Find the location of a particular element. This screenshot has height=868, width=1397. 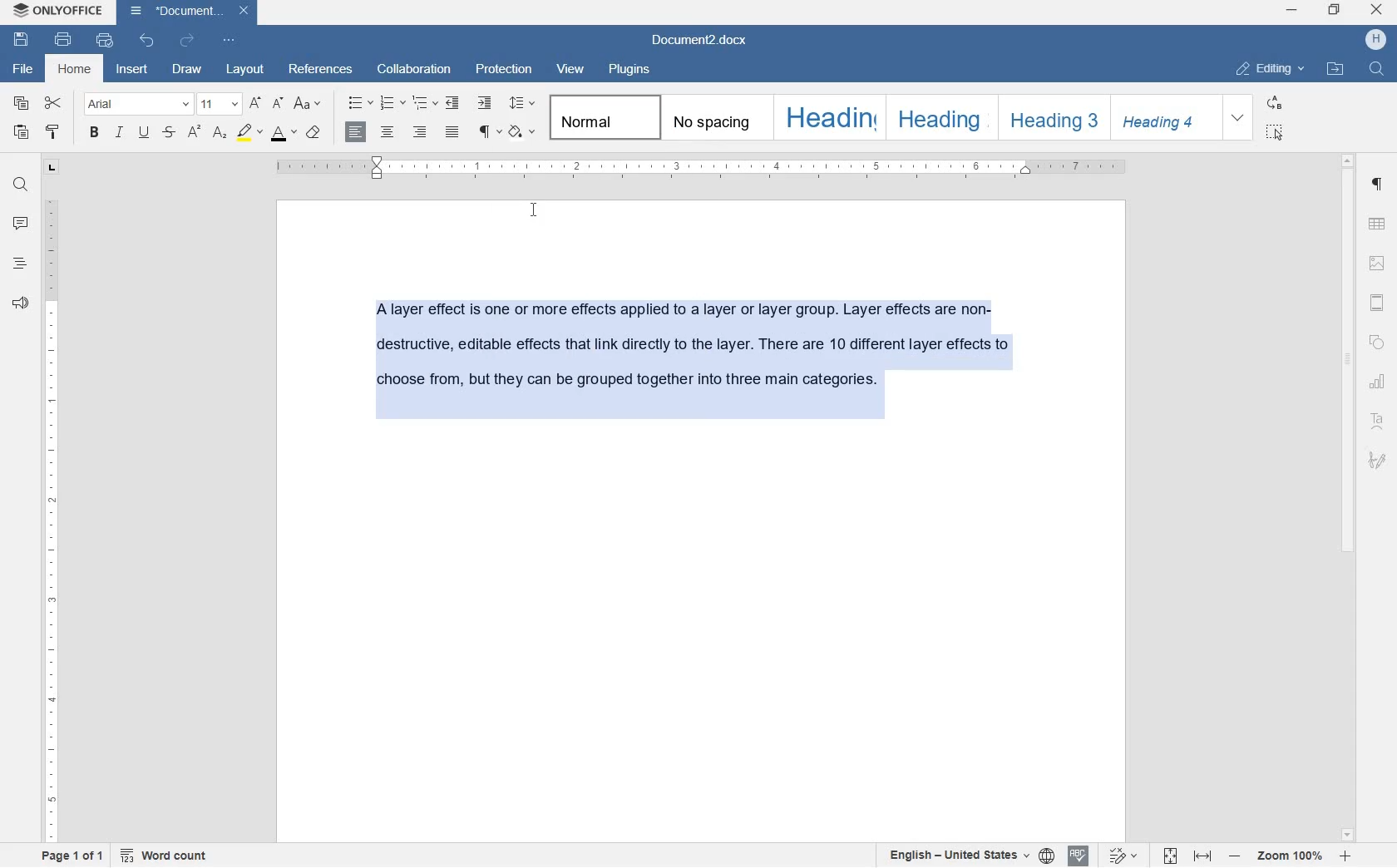

heading 3 is located at coordinates (1054, 118).